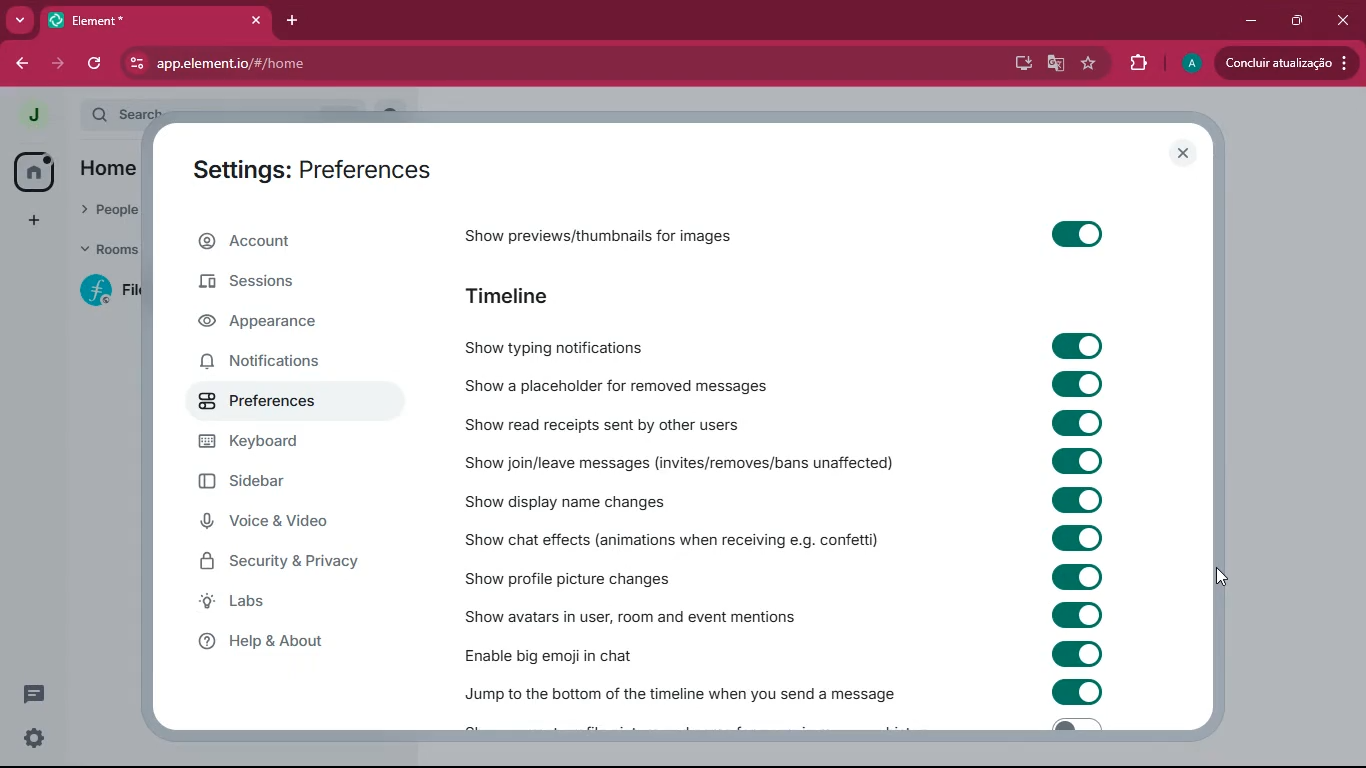  I want to click on account, so click(290, 244).